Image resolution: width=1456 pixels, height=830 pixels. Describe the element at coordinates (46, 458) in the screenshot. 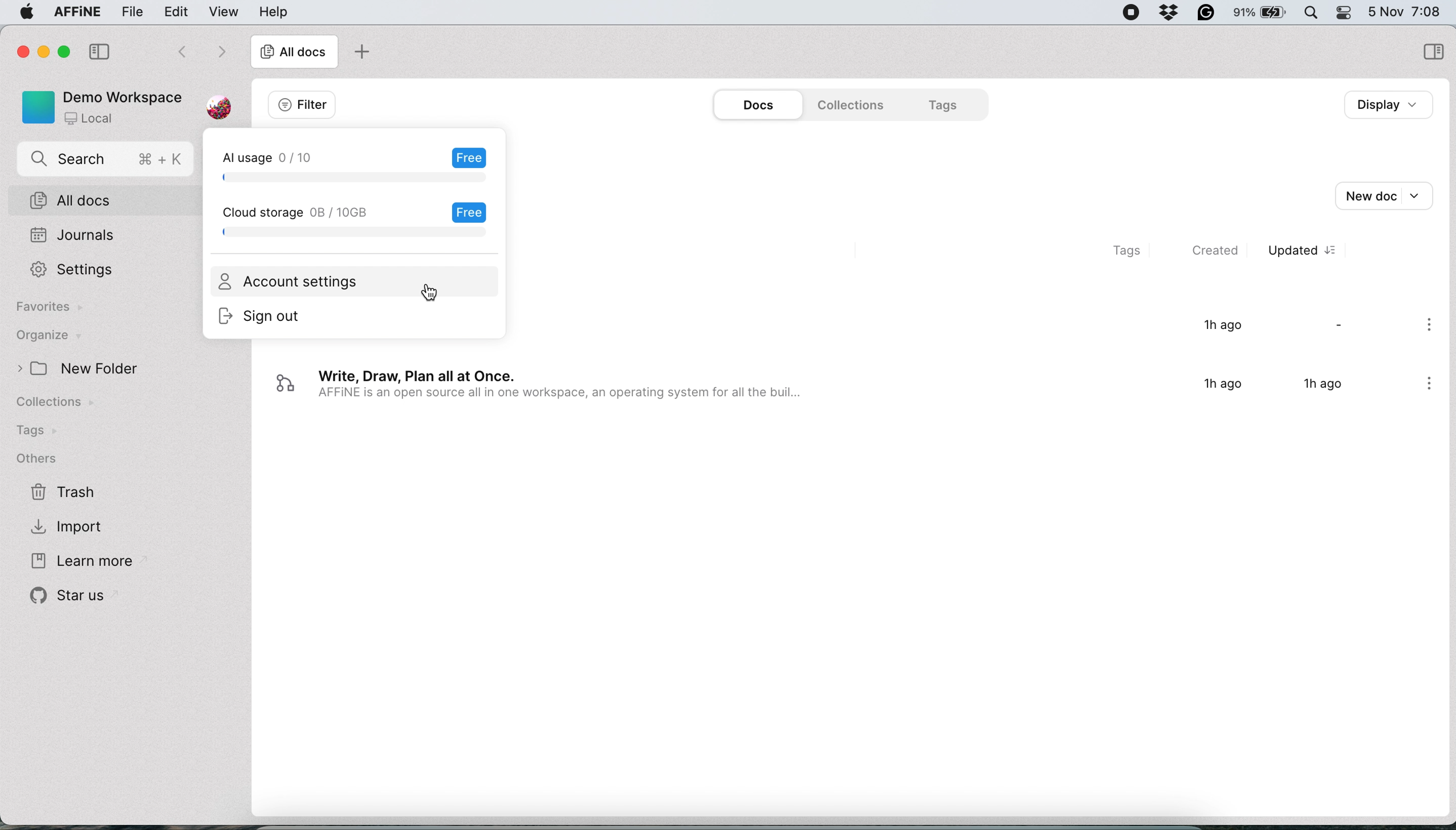

I see `others` at that location.